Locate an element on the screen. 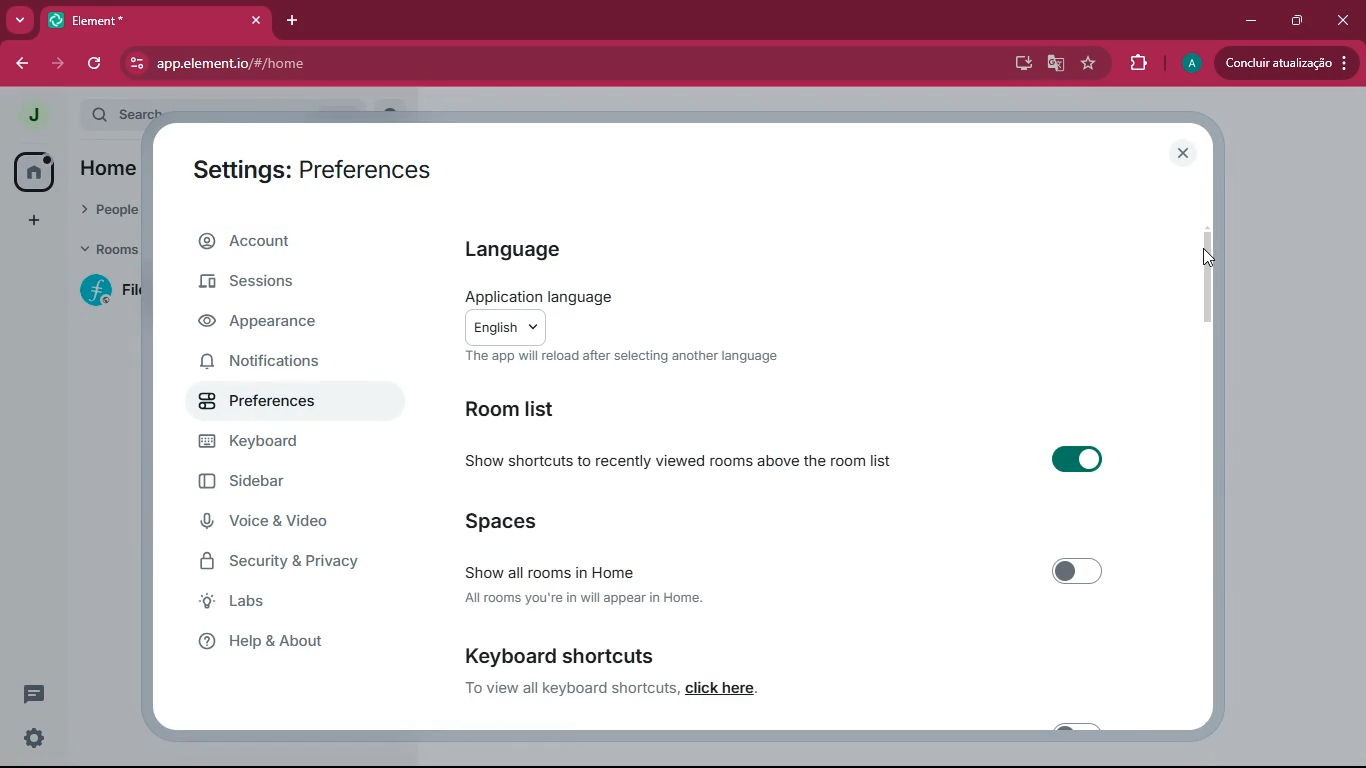  home is located at coordinates (34, 170).